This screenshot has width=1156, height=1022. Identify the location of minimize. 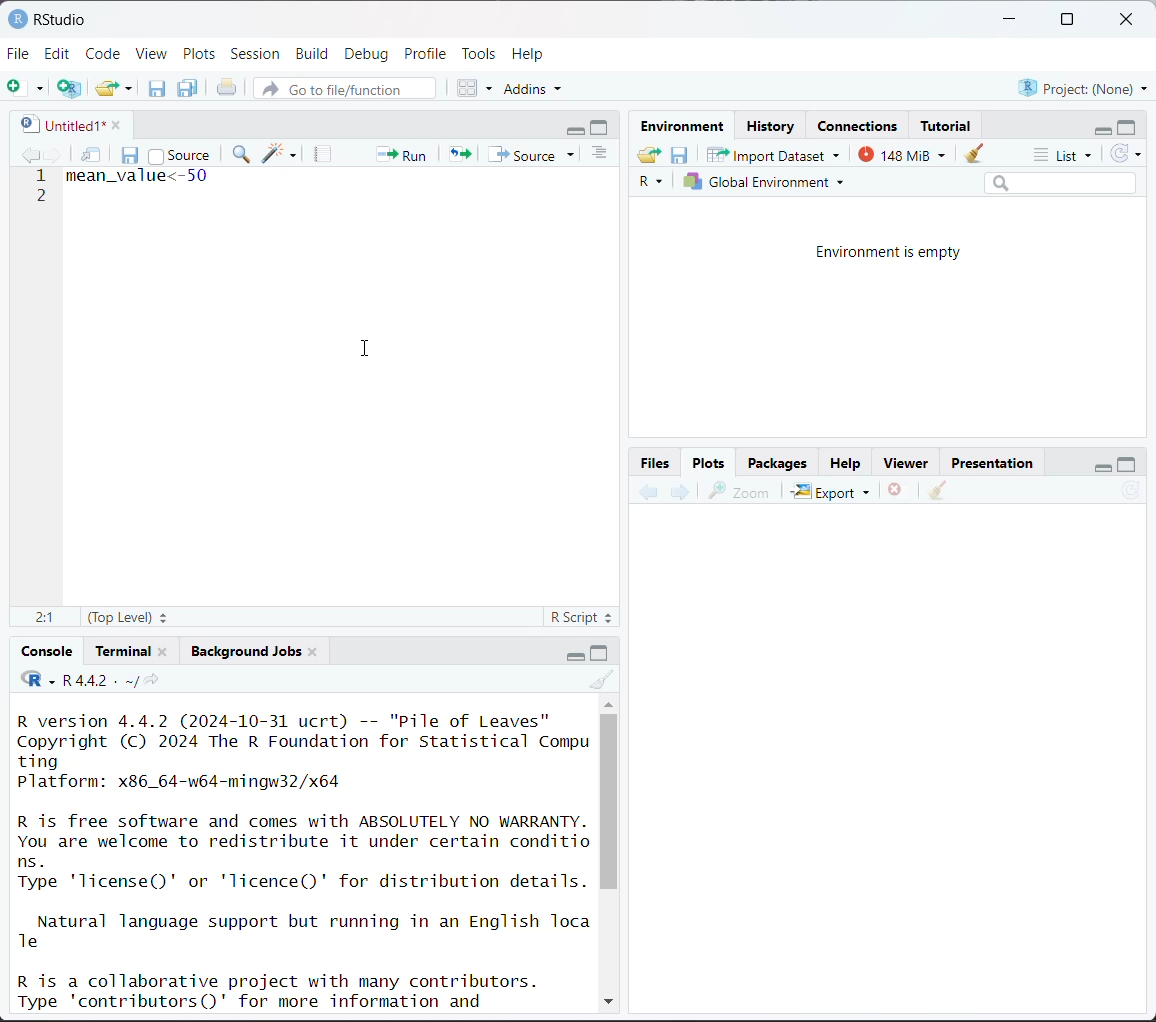
(576, 128).